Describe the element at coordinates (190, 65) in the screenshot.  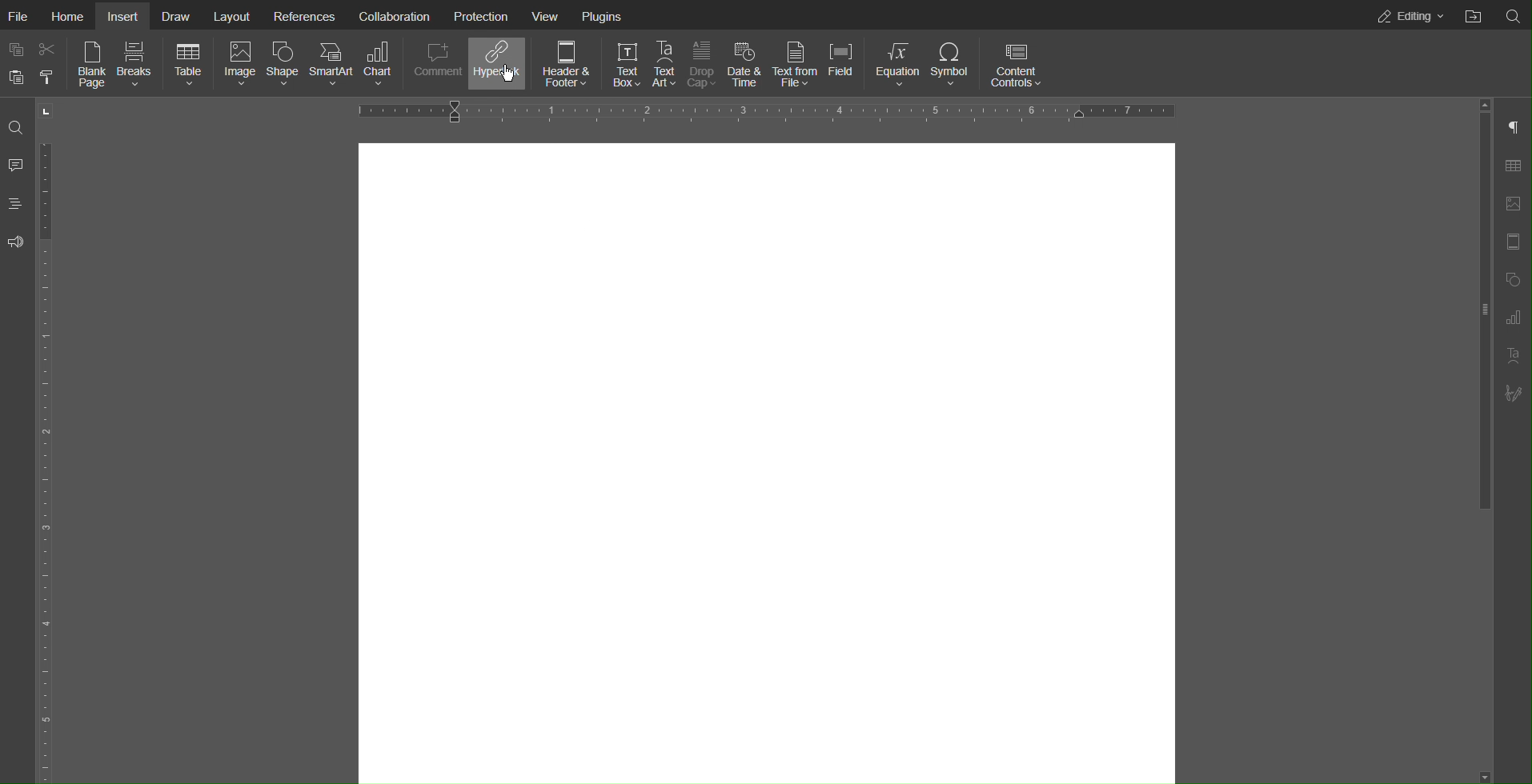
I see `Table` at that location.